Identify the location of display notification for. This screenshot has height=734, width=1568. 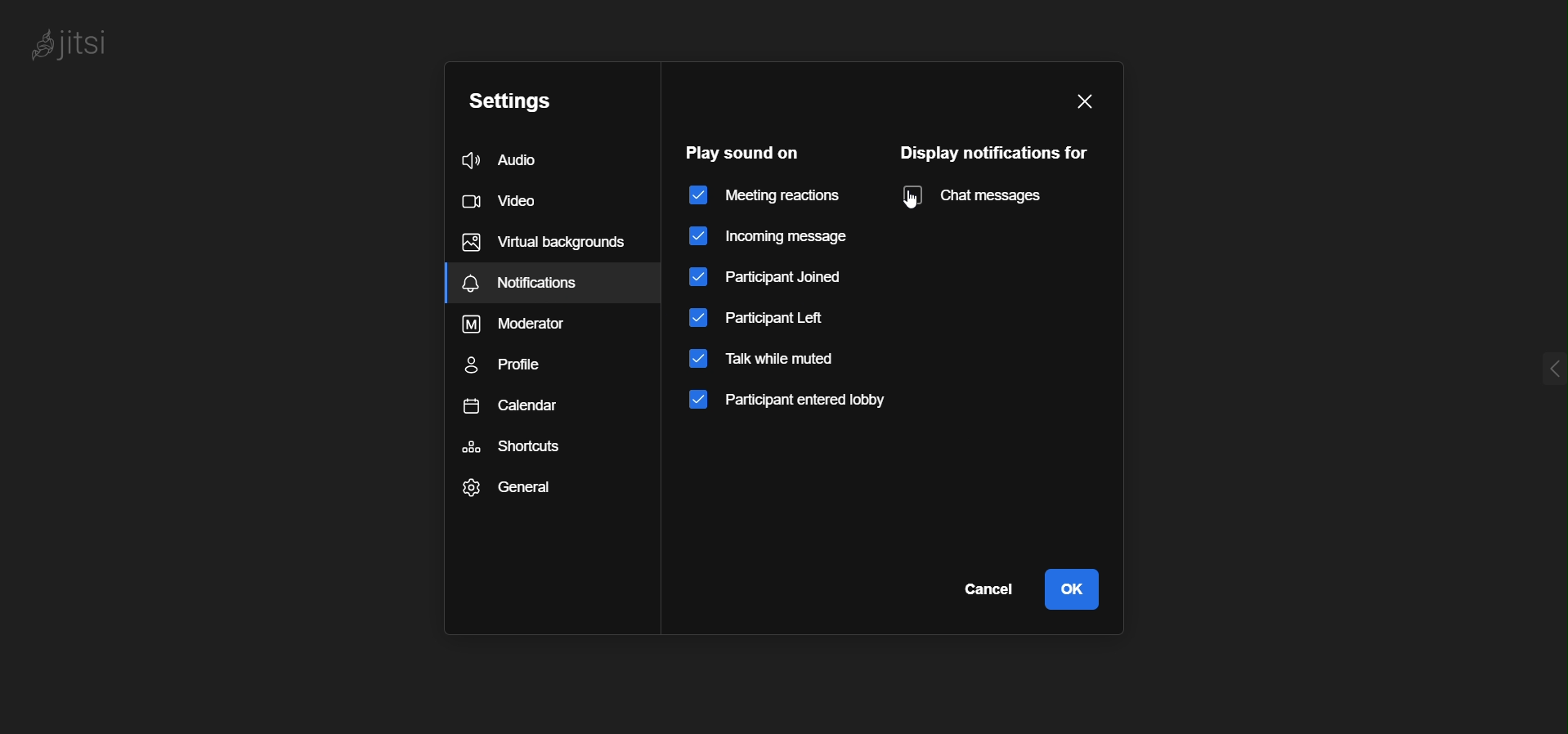
(995, 150).